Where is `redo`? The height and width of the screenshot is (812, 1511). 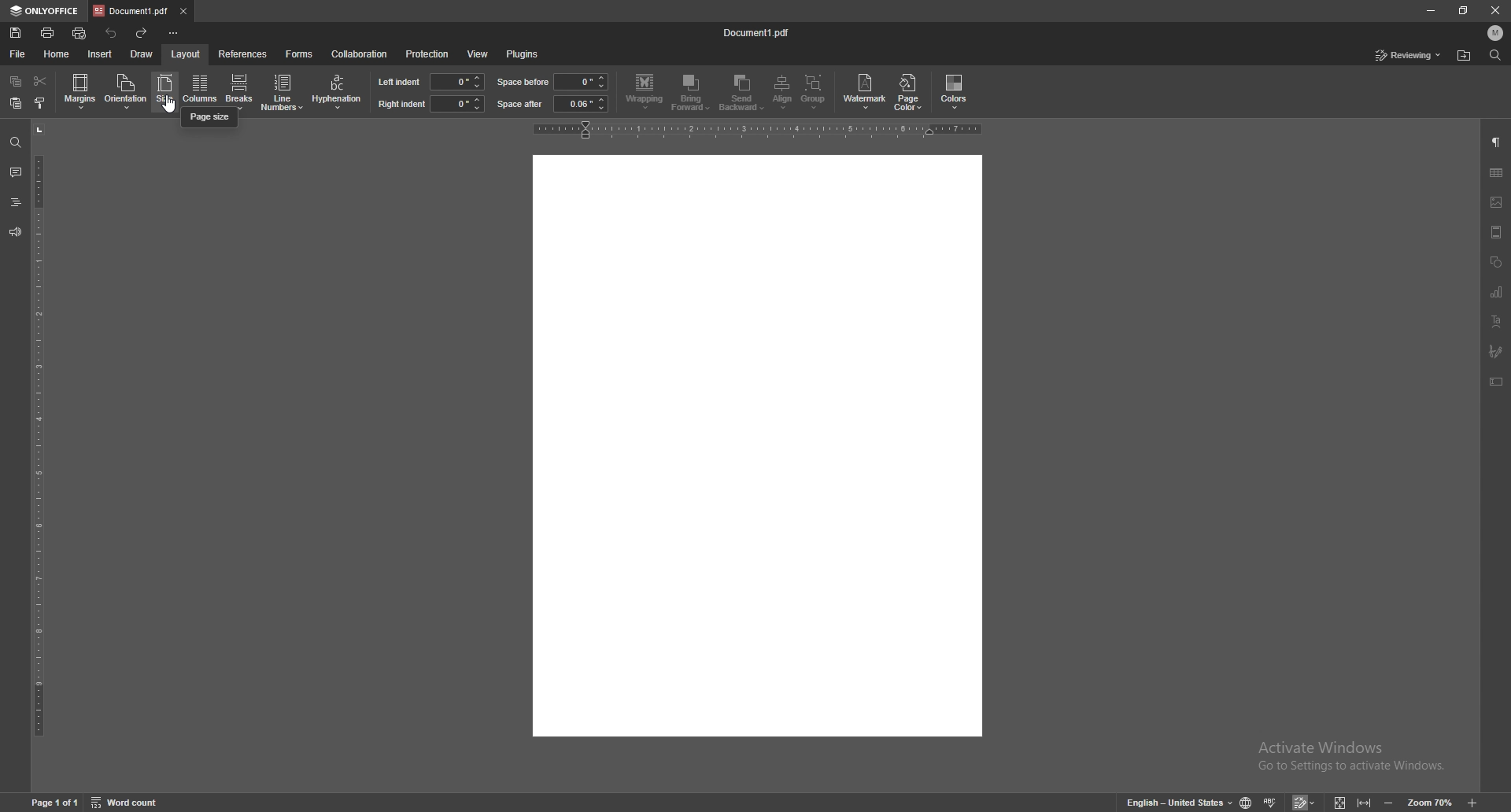 redo is located at coordinates (142, 34).